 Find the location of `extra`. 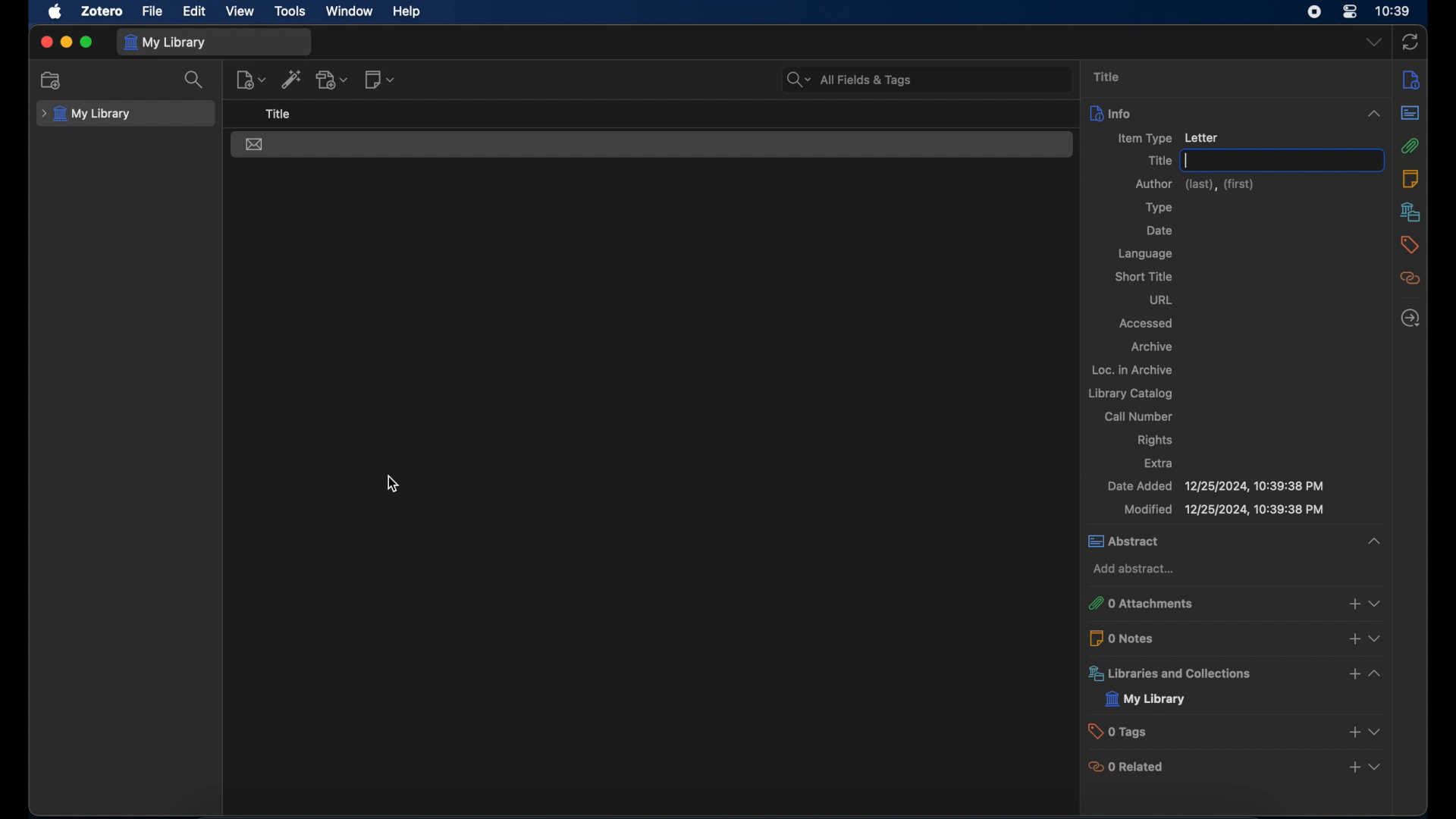

extra is located at coordinates (1161, 463).